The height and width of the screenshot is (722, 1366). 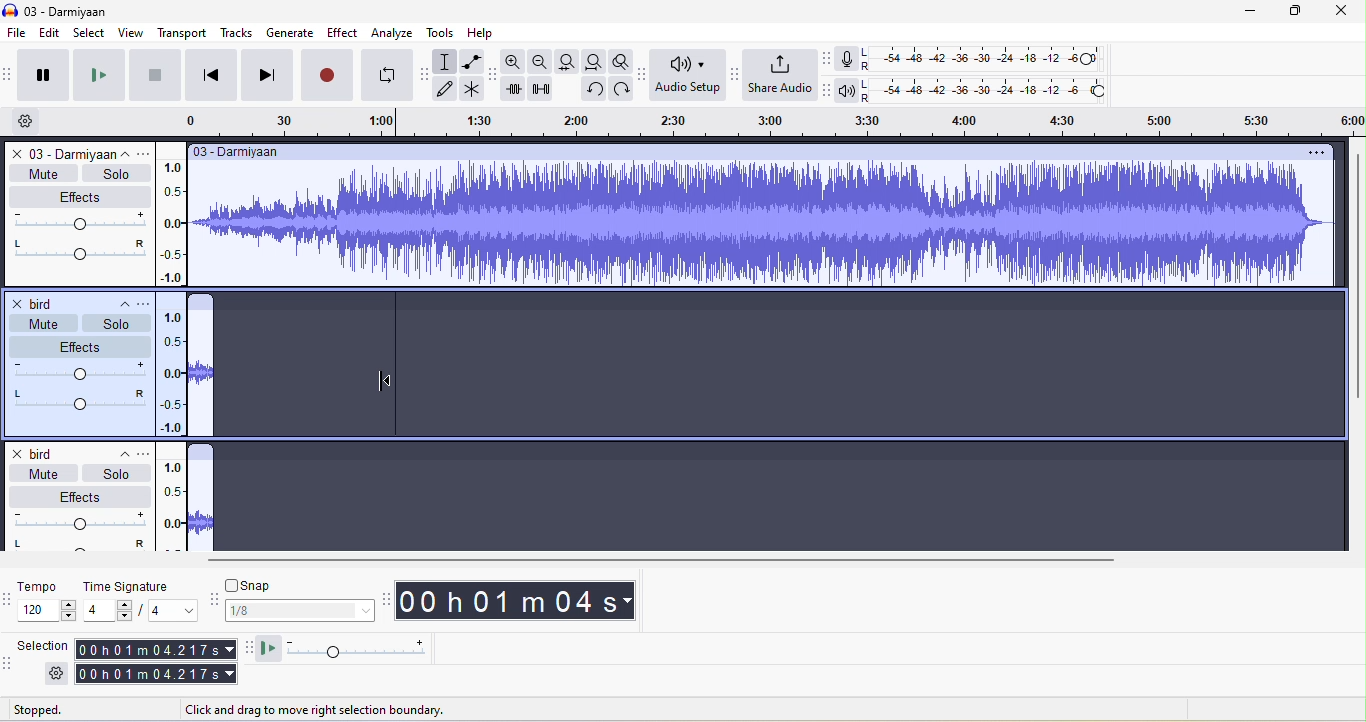 What do you see at coordinates (291, 31) in the screenshot?
I see `generate` at bounding box center [291, 31].